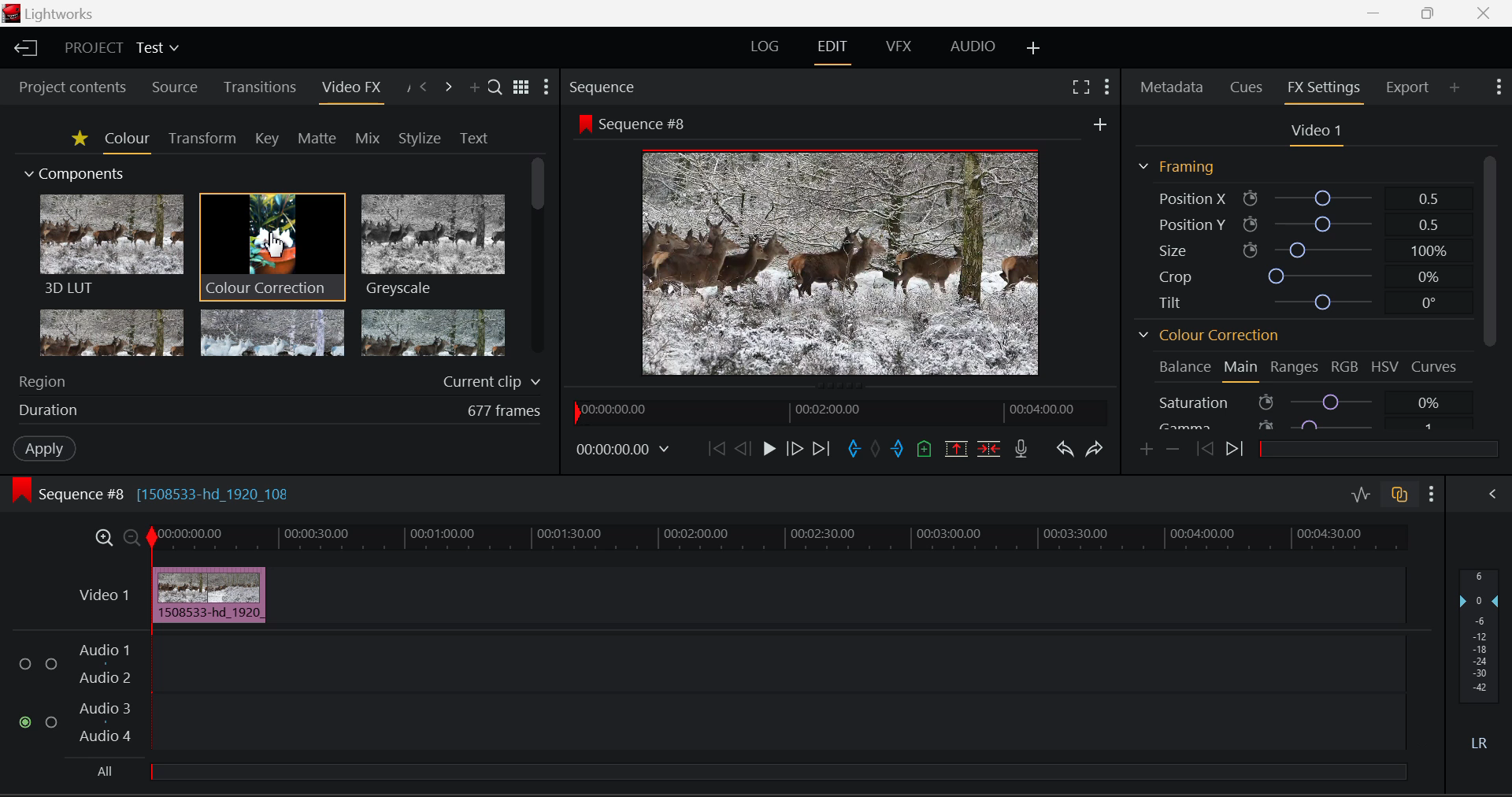 This screenshot has width=1512, height=797. What do you see at coordinates (1399, 496) in the screenshot?
I see `Toggle Auto Track Sync` at bounding box center [1399, 496].